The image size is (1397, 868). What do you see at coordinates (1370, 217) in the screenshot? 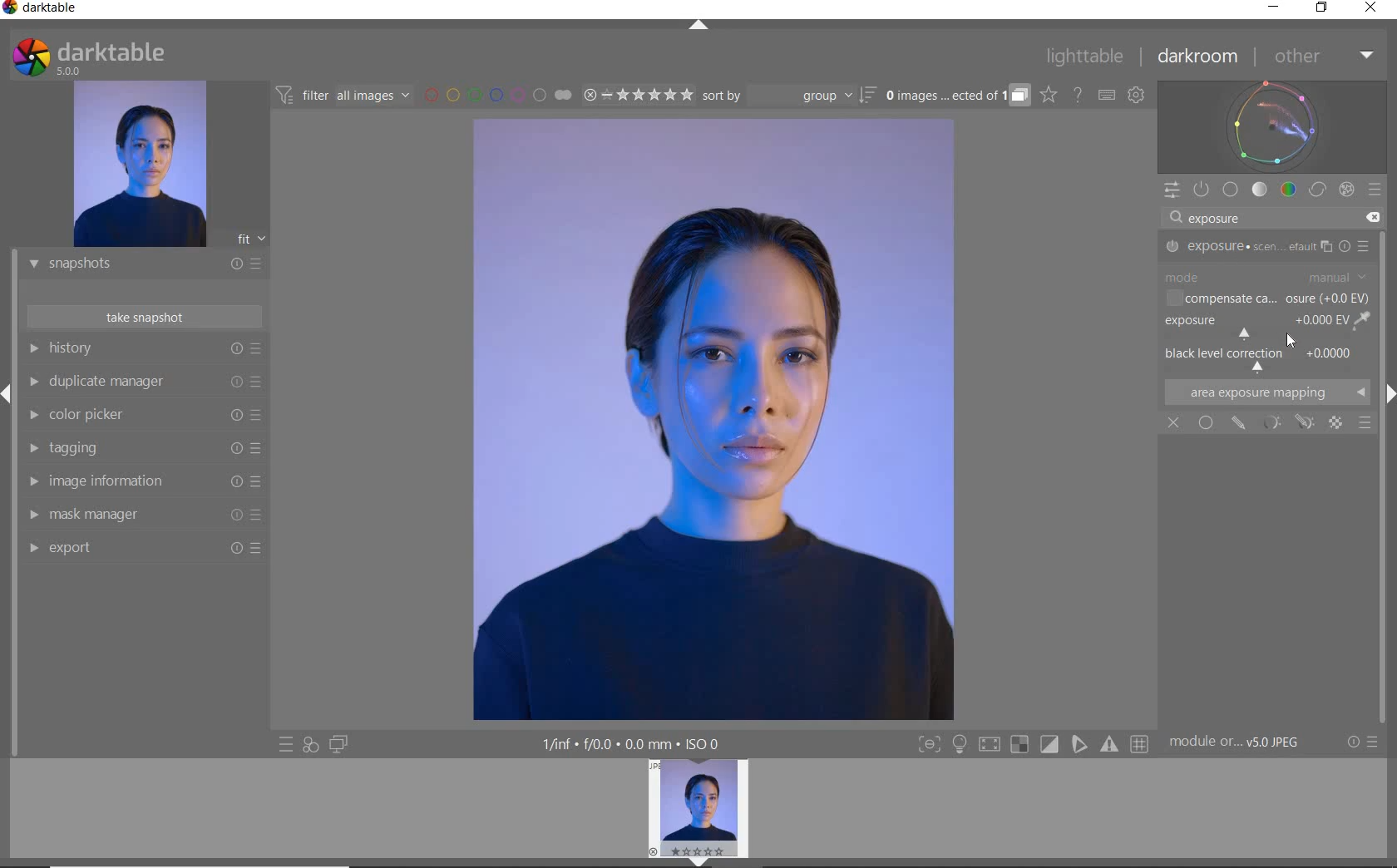
I see `Clear` at bounding box center [1370, 217].